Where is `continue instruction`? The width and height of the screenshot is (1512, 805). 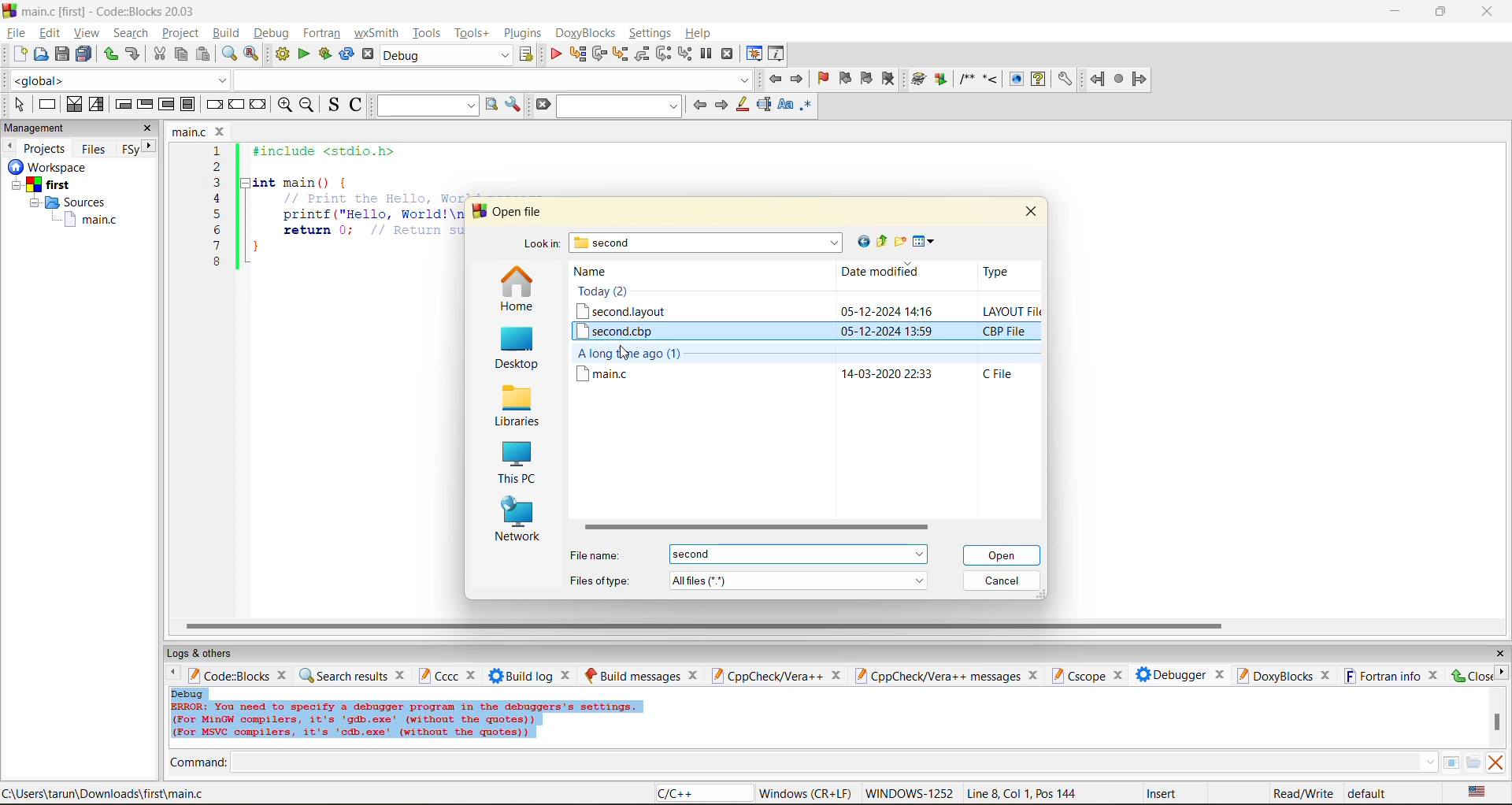
continue instruction is located at coordinates (235, 106).